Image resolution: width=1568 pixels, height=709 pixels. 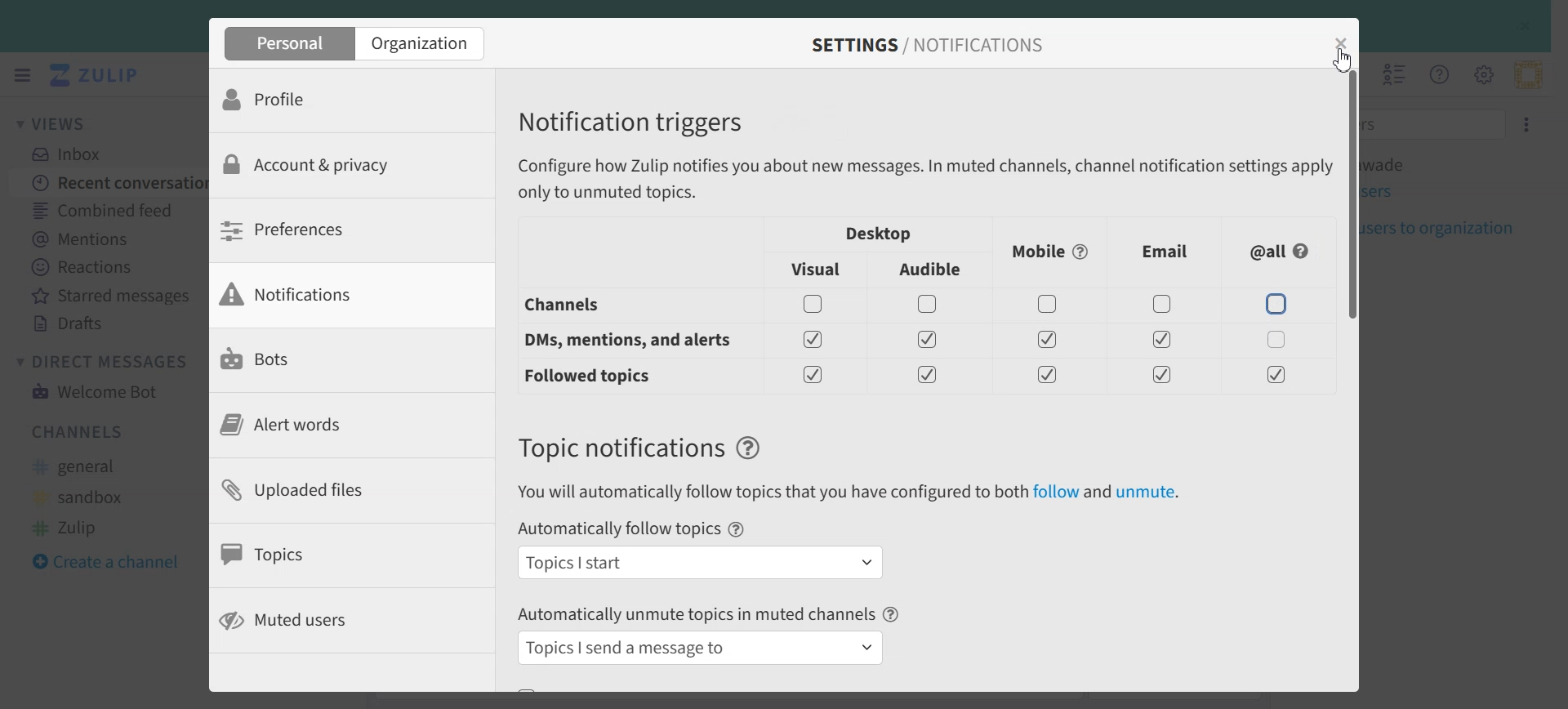 What do you see at coordinates (22, 75) in the screenshot?
I see `Hide left sidebar` at bounding box center [22, 75].